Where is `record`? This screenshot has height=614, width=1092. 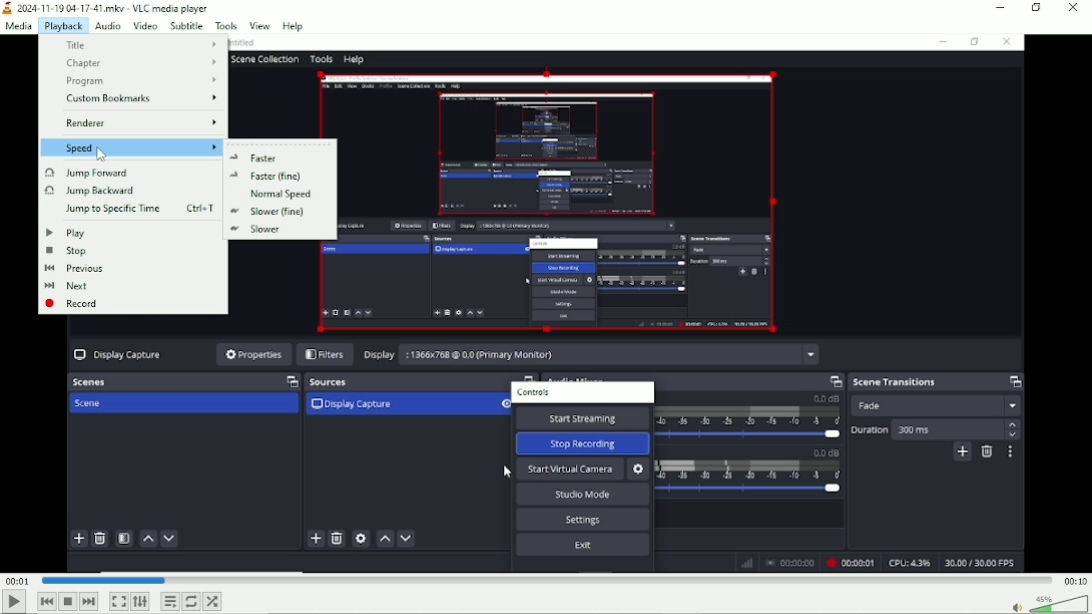 record is located at coordinates (130, 304).